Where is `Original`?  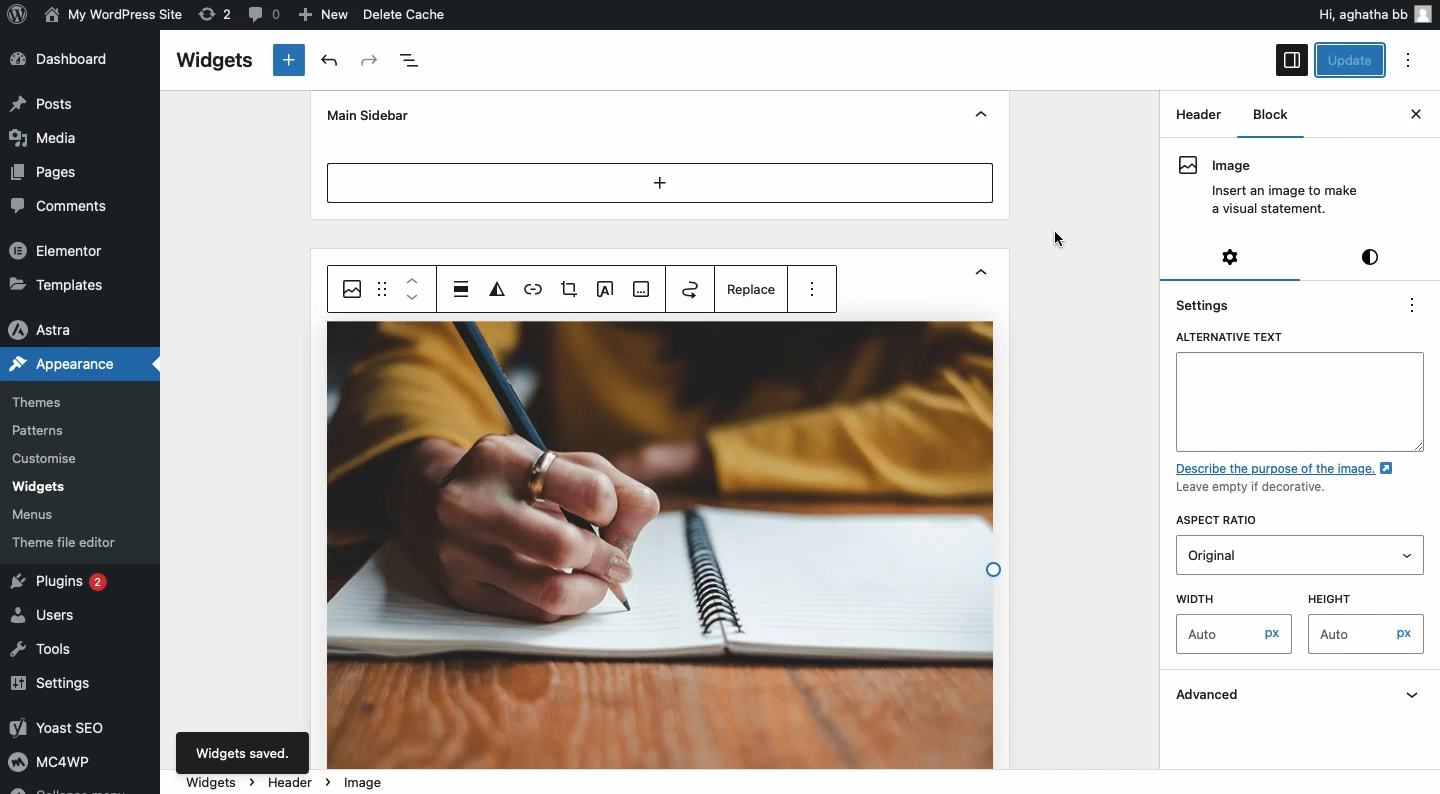 Original is located at coordinates (1251, 554).